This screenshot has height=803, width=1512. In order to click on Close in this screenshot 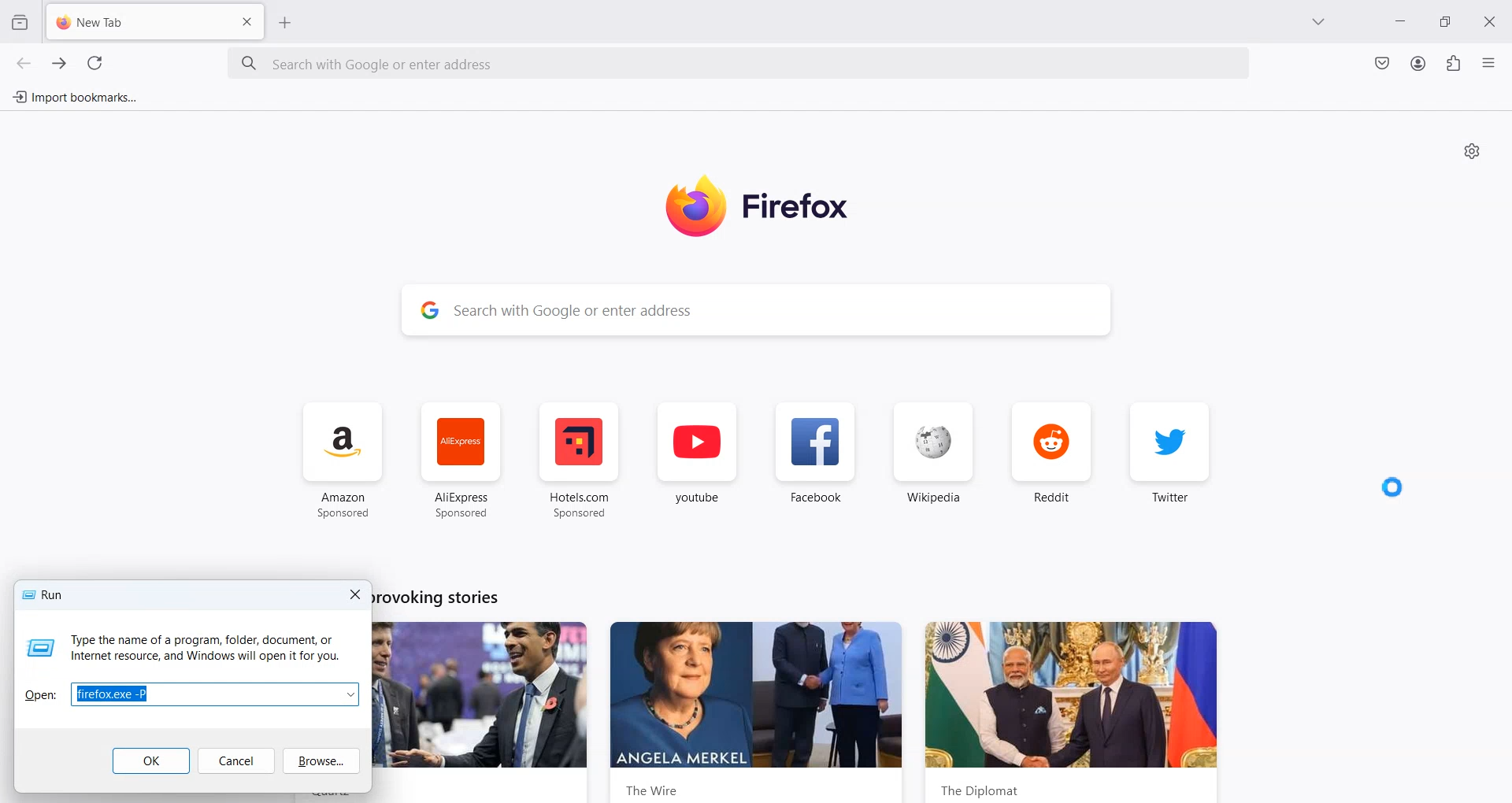, I will do `click(355, 594)`.